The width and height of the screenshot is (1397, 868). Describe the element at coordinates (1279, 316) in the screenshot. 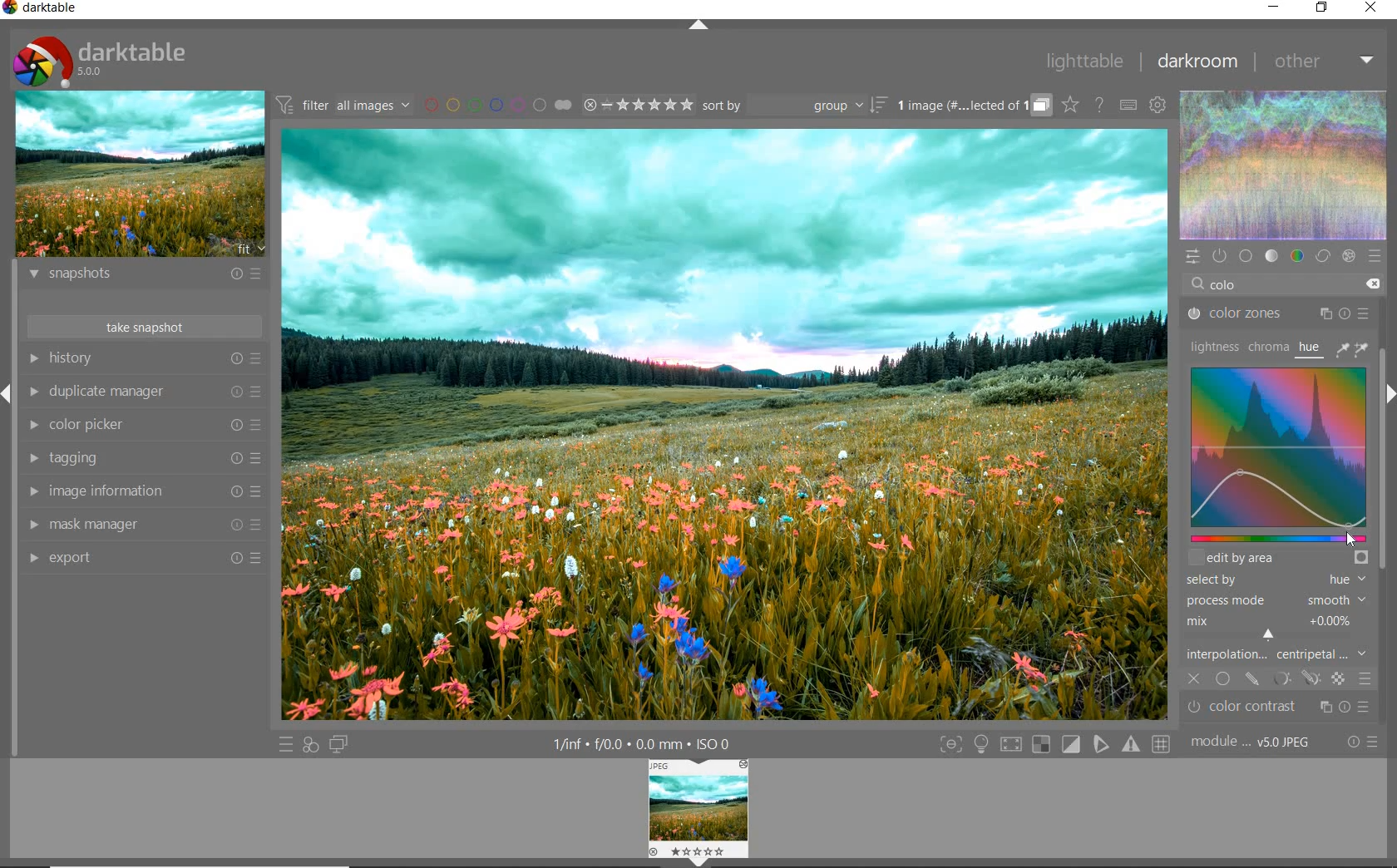

I see `color zones` at that location.